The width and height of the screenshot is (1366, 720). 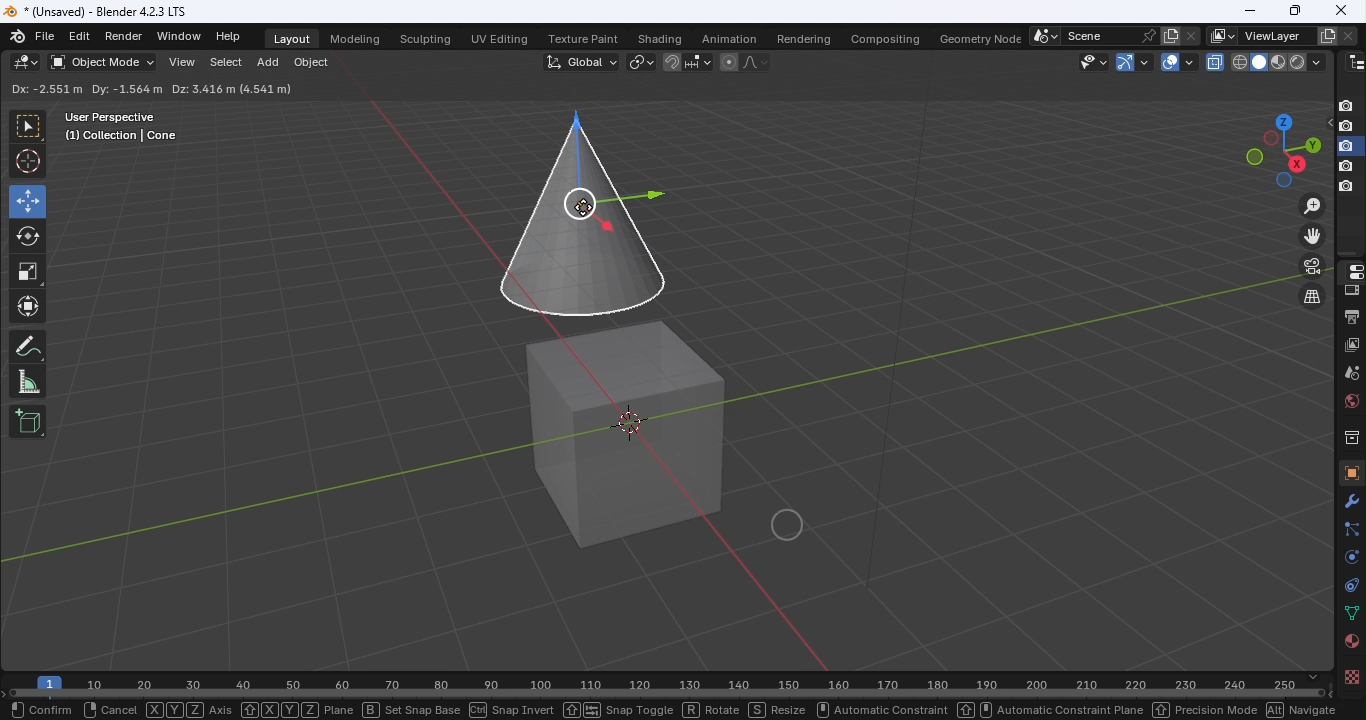 I want to click on disable in renders, so click(x=1346, y=127).